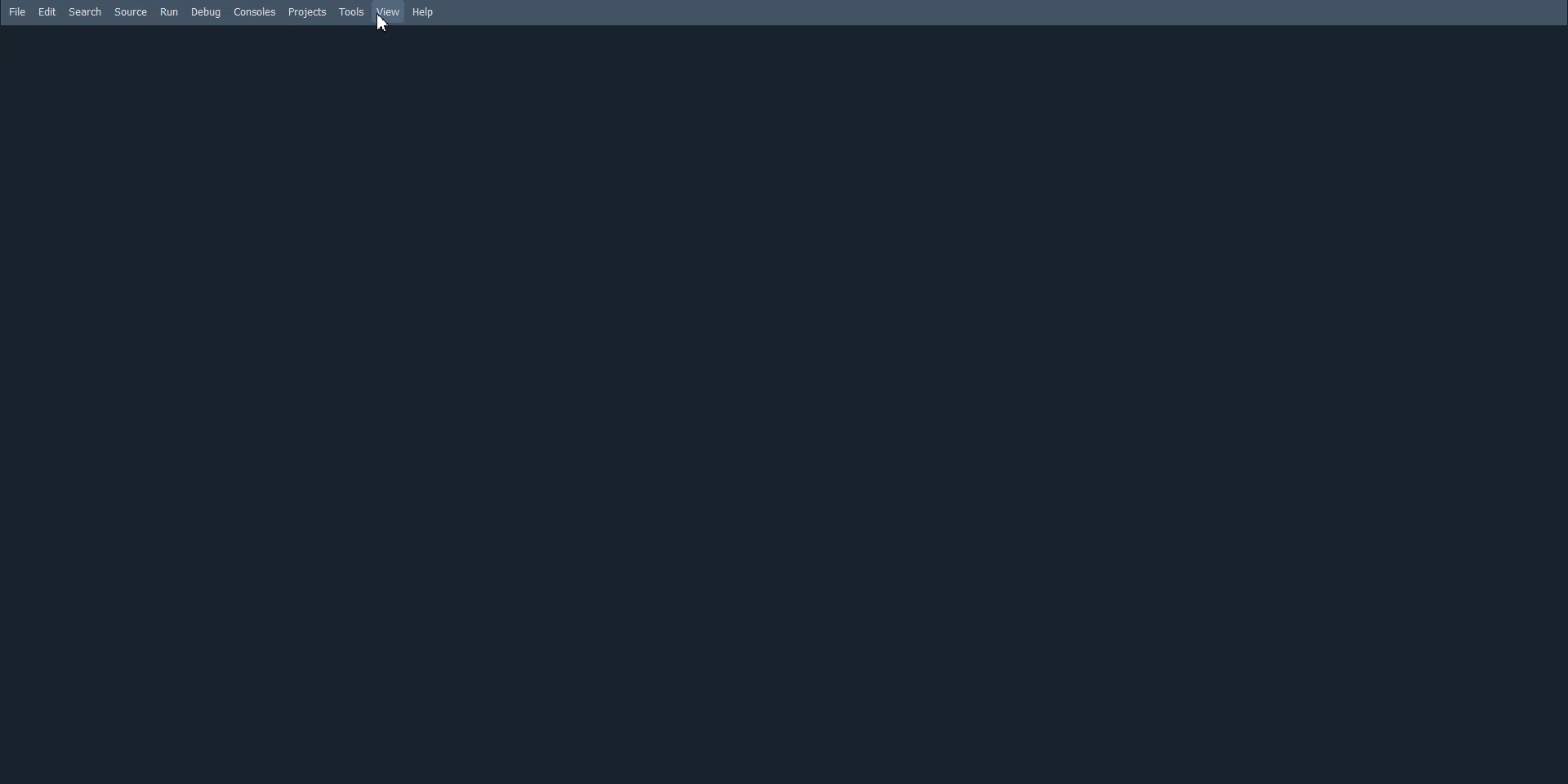 The height and width of the screenshot is (784, 1568). I want to click on Tools, so click(353, 12).